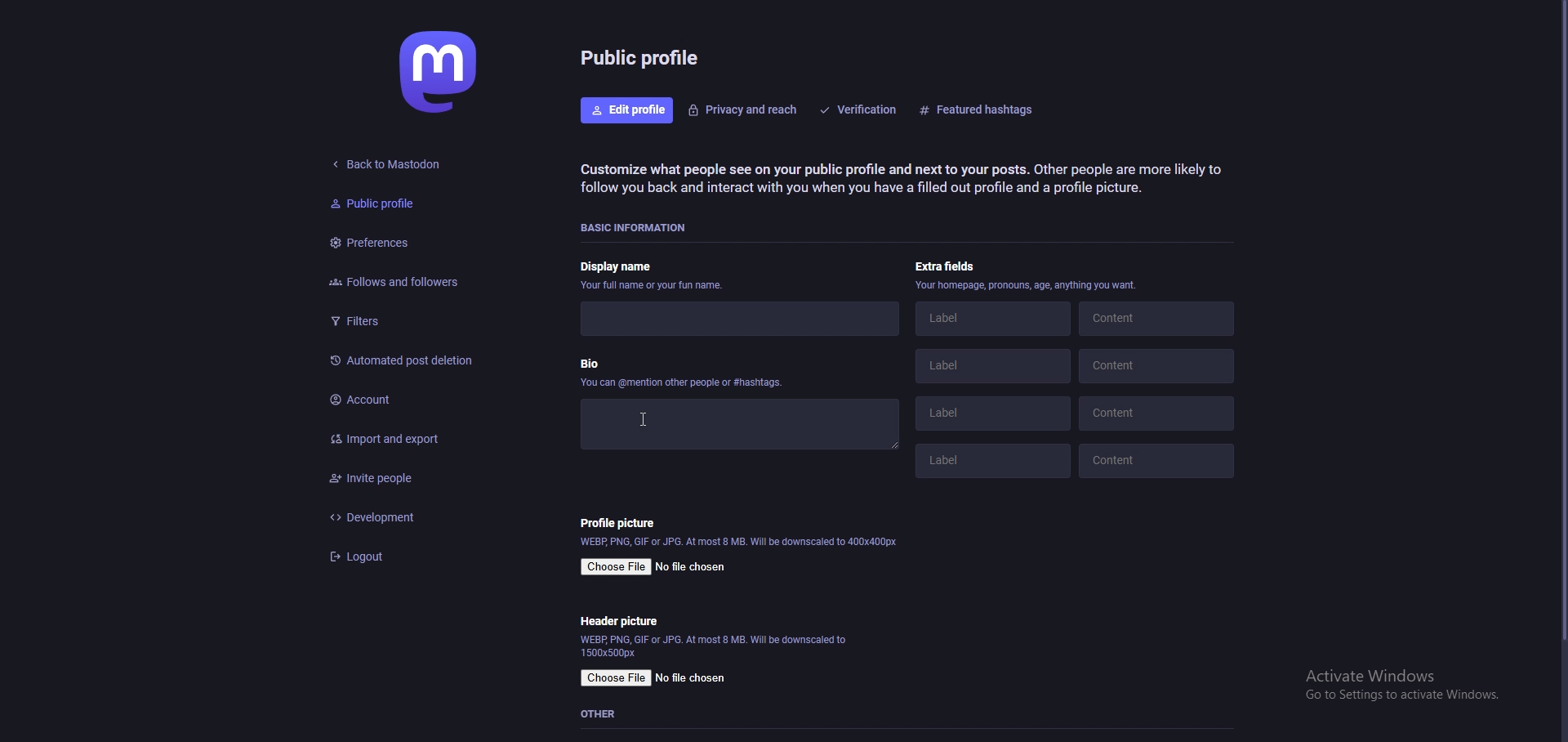 The image size is (1568, 742). What do you see at coordinates (388, 166) in the screenshot?
I see `back to mastodon` at bounding box center [388, 166].